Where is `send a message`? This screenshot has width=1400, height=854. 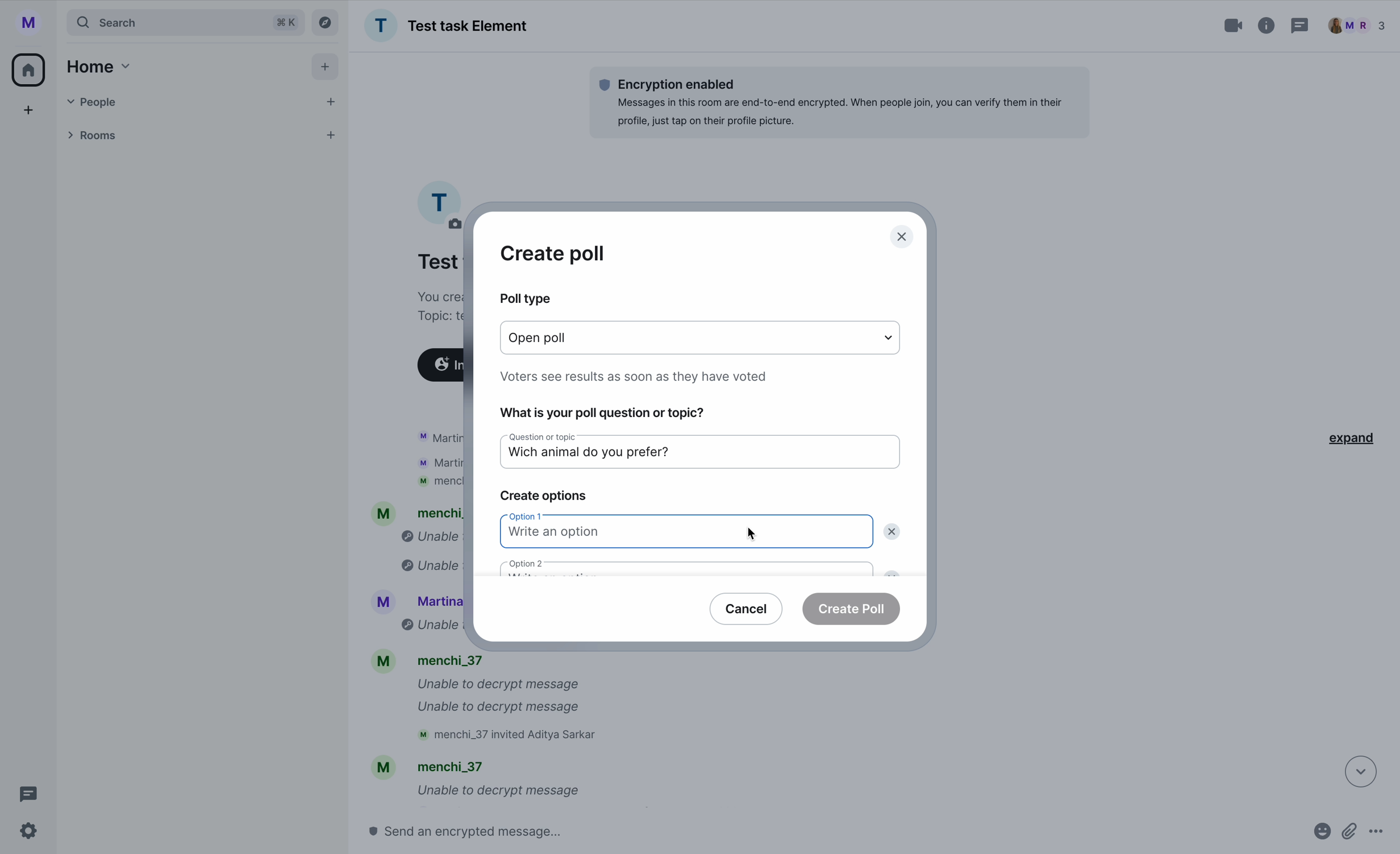 send a message is located at coordinates (489, 831).